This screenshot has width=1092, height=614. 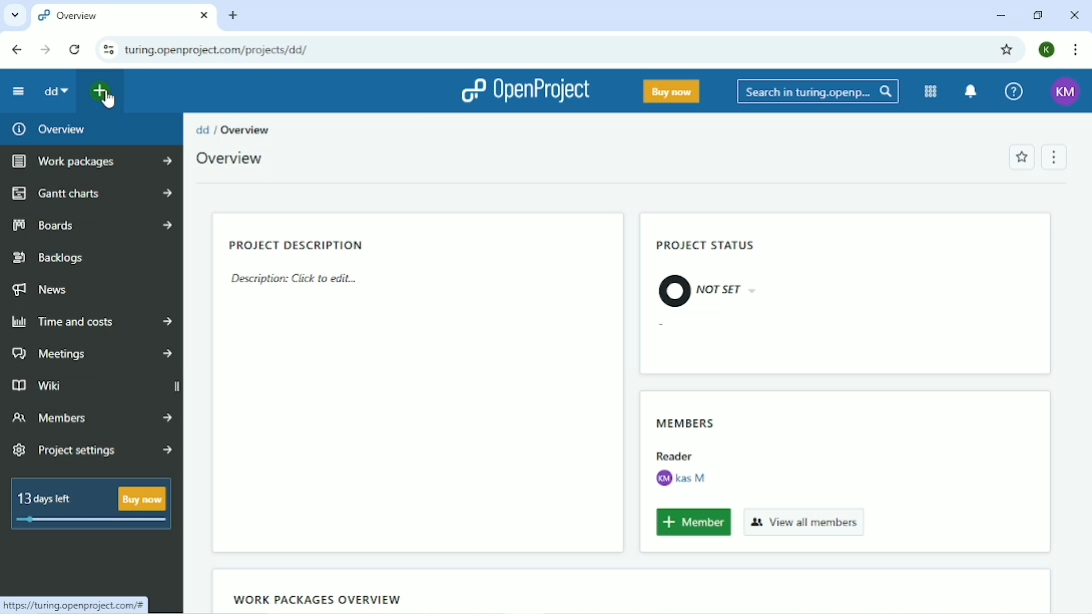 I want to click on KM, so click(x=1067, y=91).